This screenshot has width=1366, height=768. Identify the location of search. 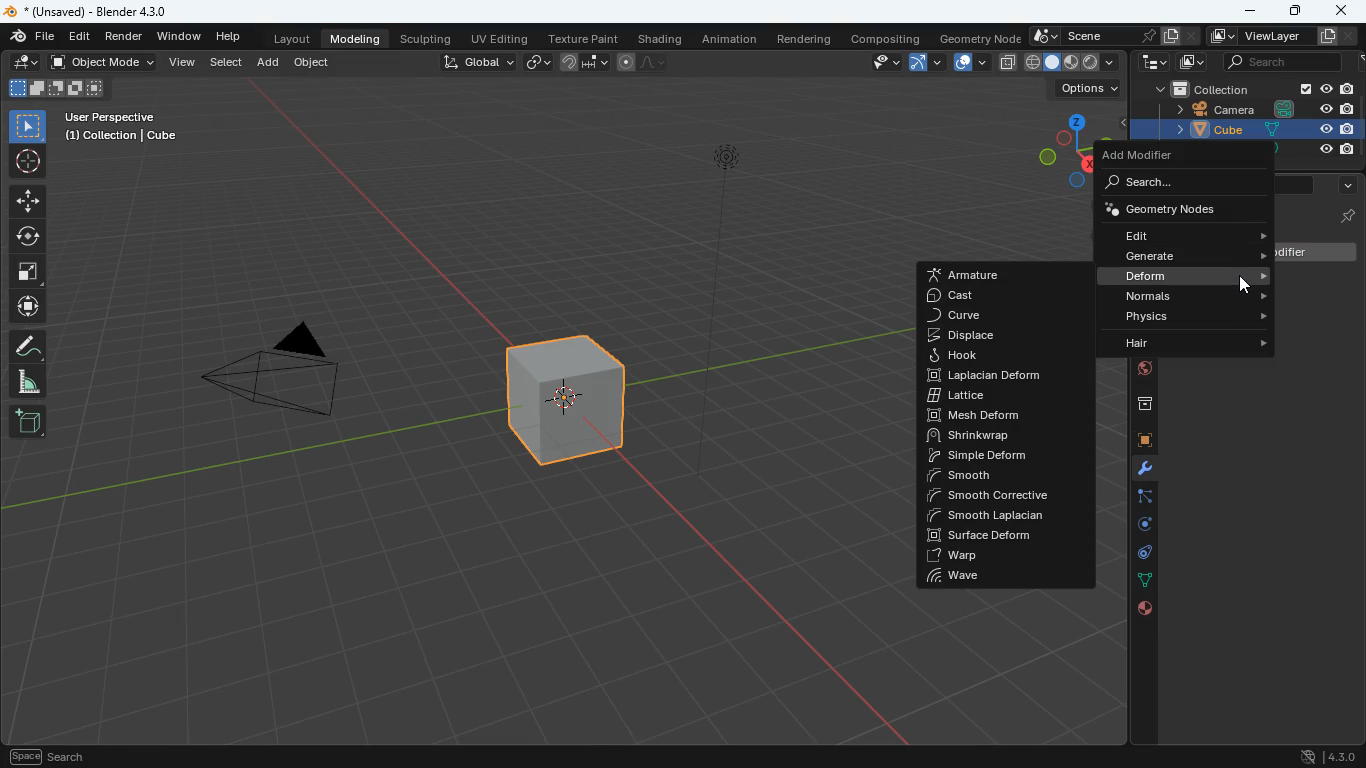
(1174, 183).